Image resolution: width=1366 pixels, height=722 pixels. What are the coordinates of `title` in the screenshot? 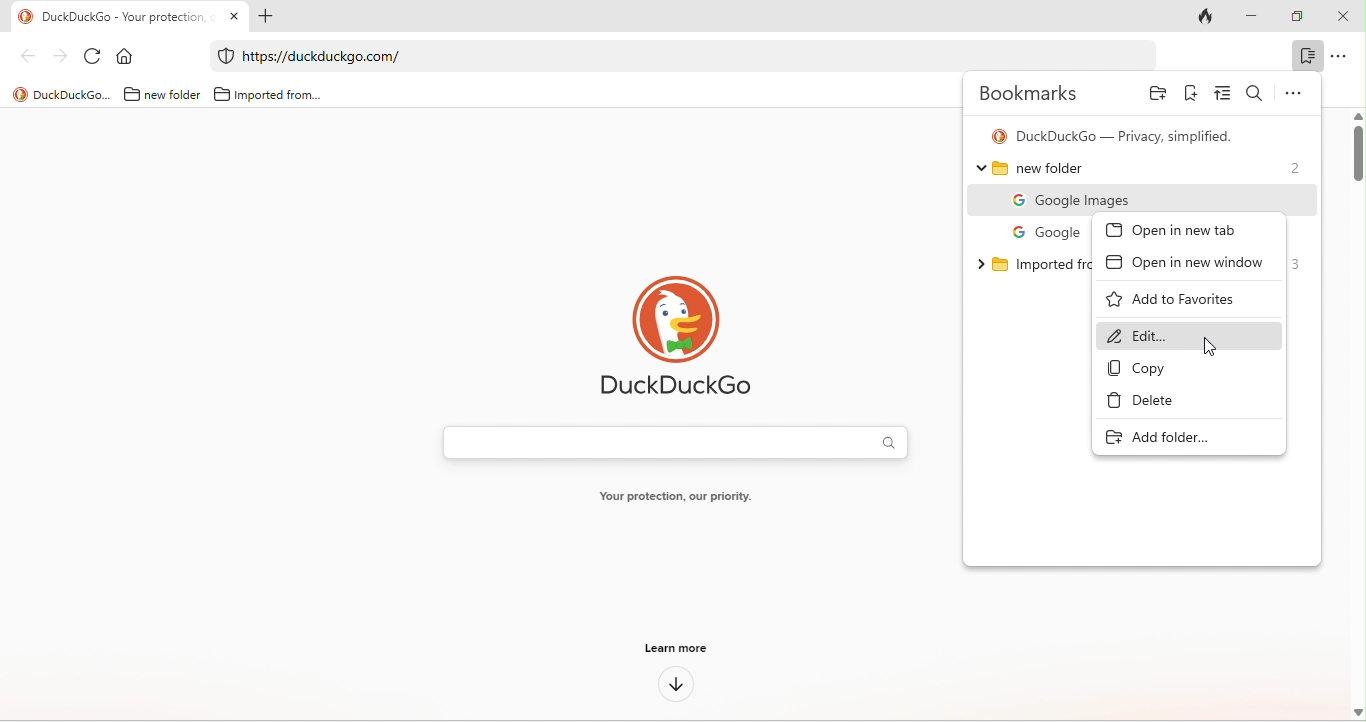 It's located at (58, 94).